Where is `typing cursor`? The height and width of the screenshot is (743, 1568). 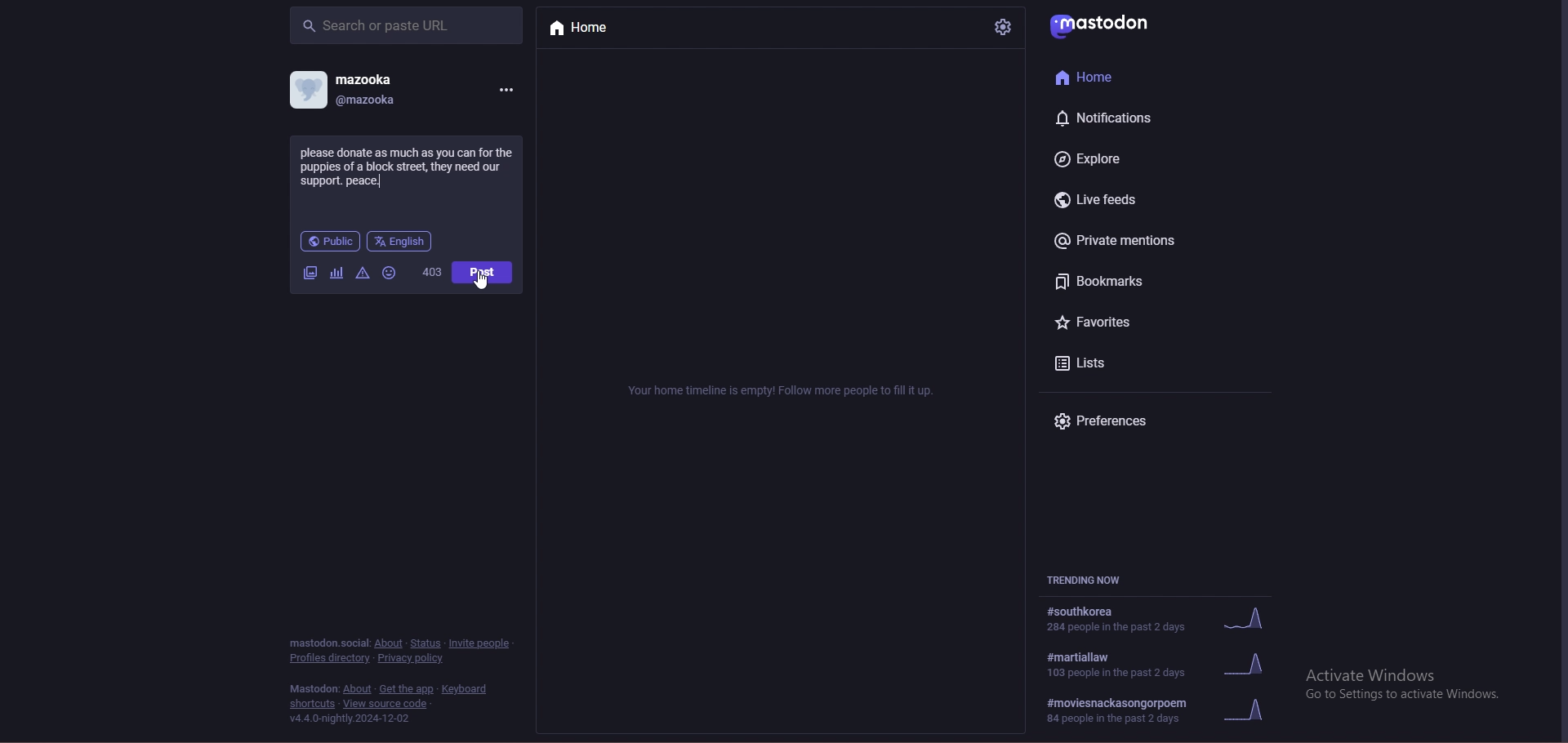 typing cursor is located at coordinates (382, 181).